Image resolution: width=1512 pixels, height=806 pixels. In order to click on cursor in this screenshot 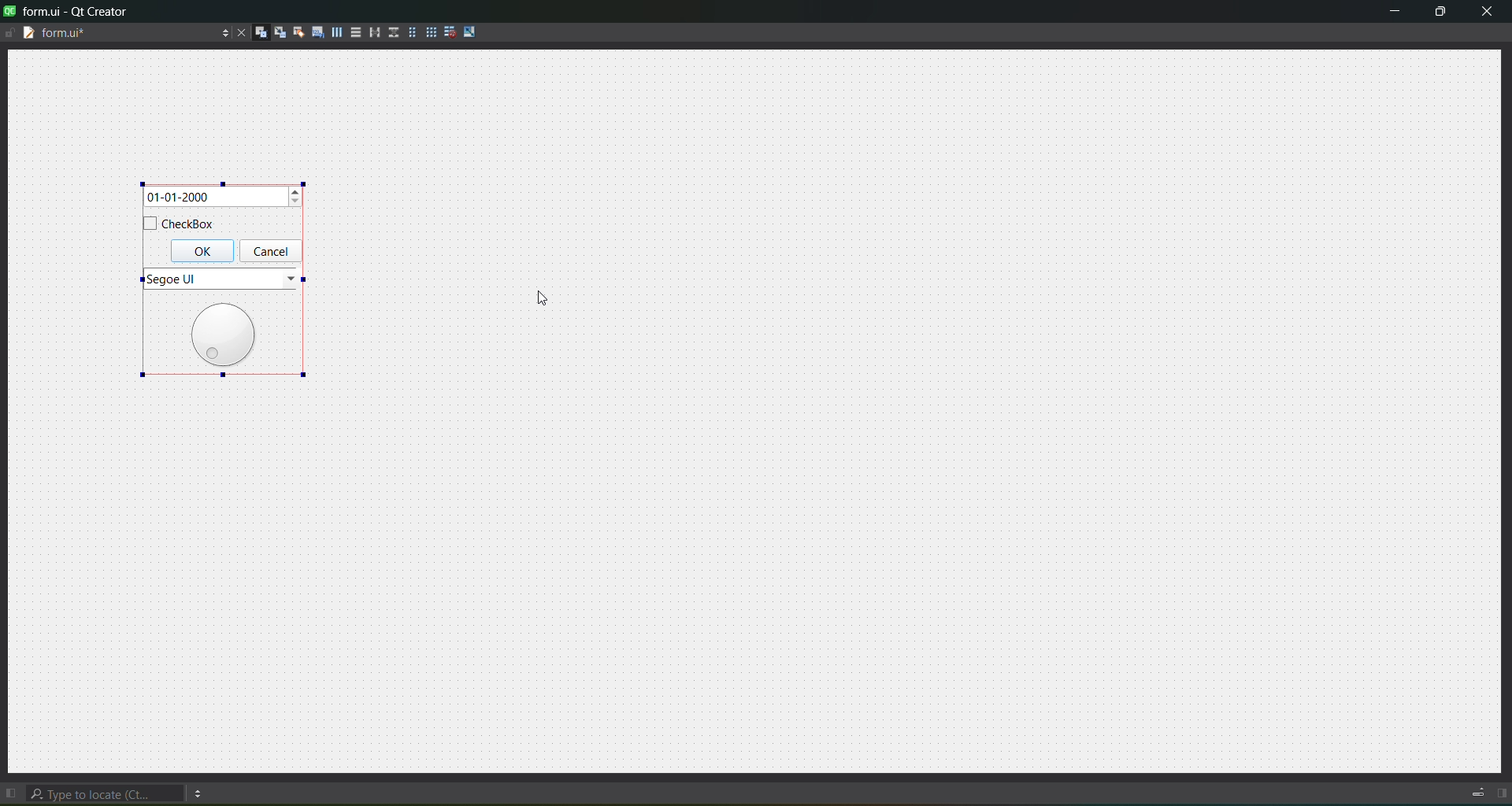, I will do `click(538, 308)`.